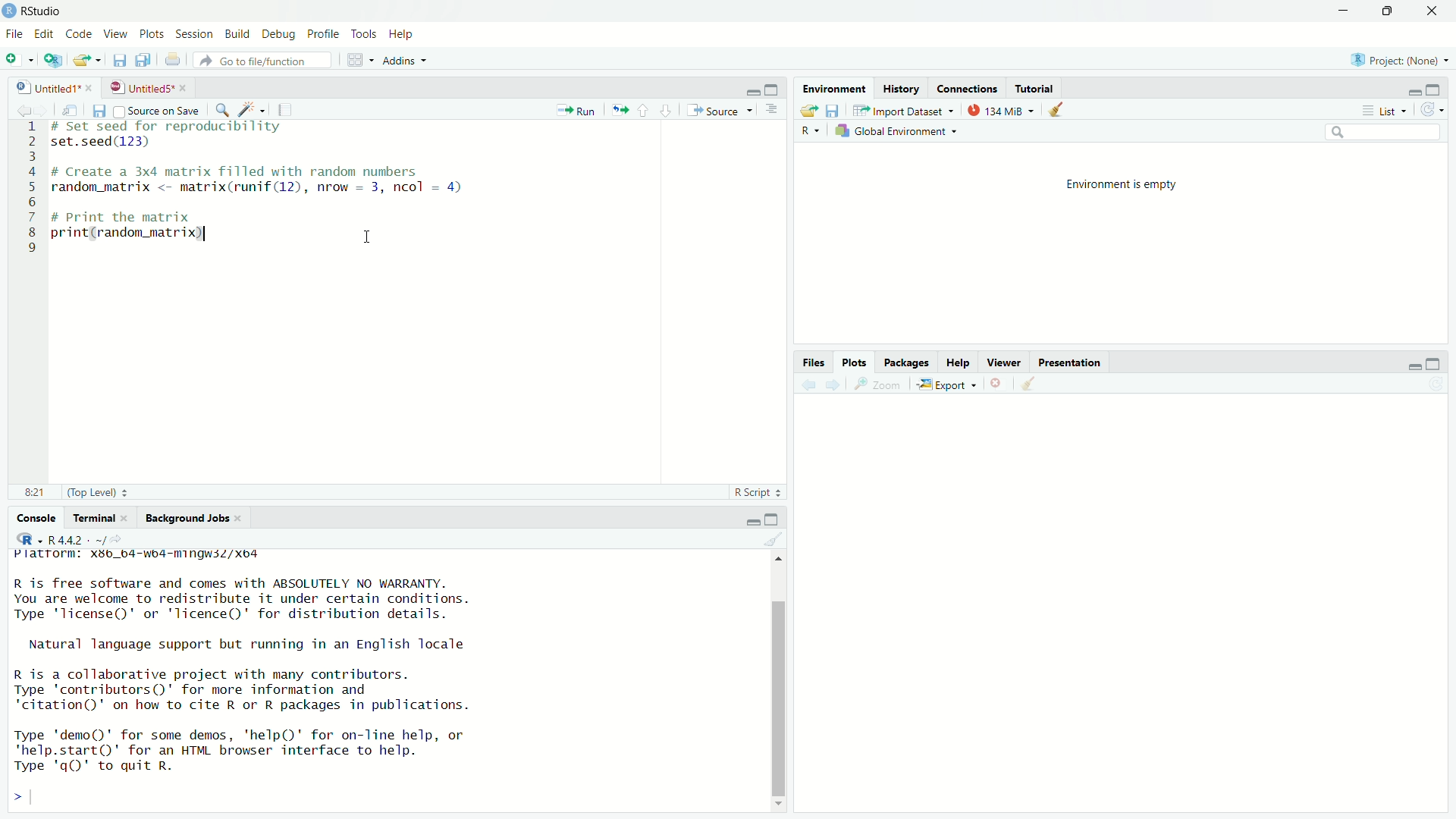 This screenshot has width=1456, height=819. I want to click on viewer, so click(1003, 361).